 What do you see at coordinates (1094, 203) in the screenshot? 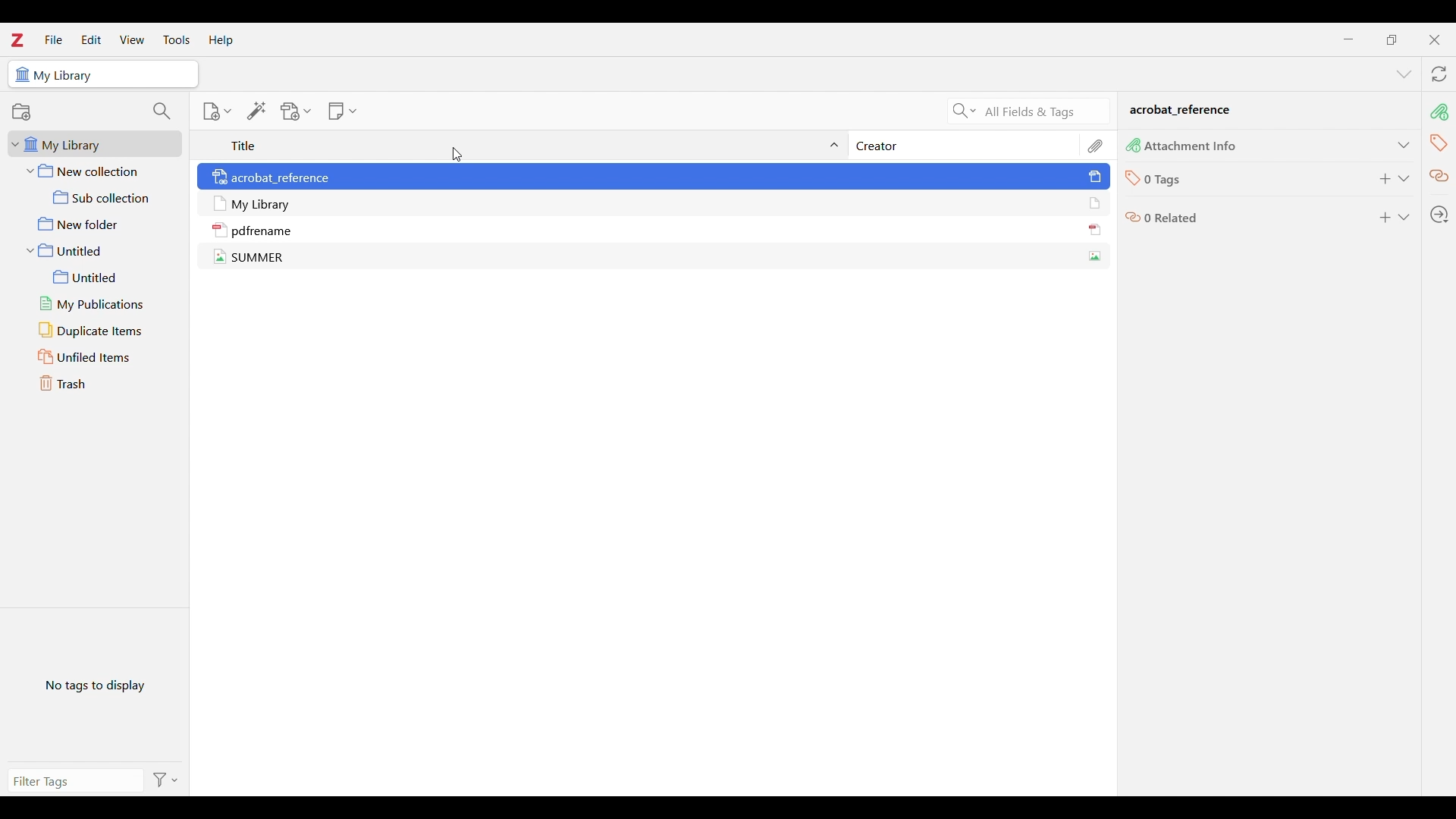
I see `icon` at bounding box center [1094, 203].